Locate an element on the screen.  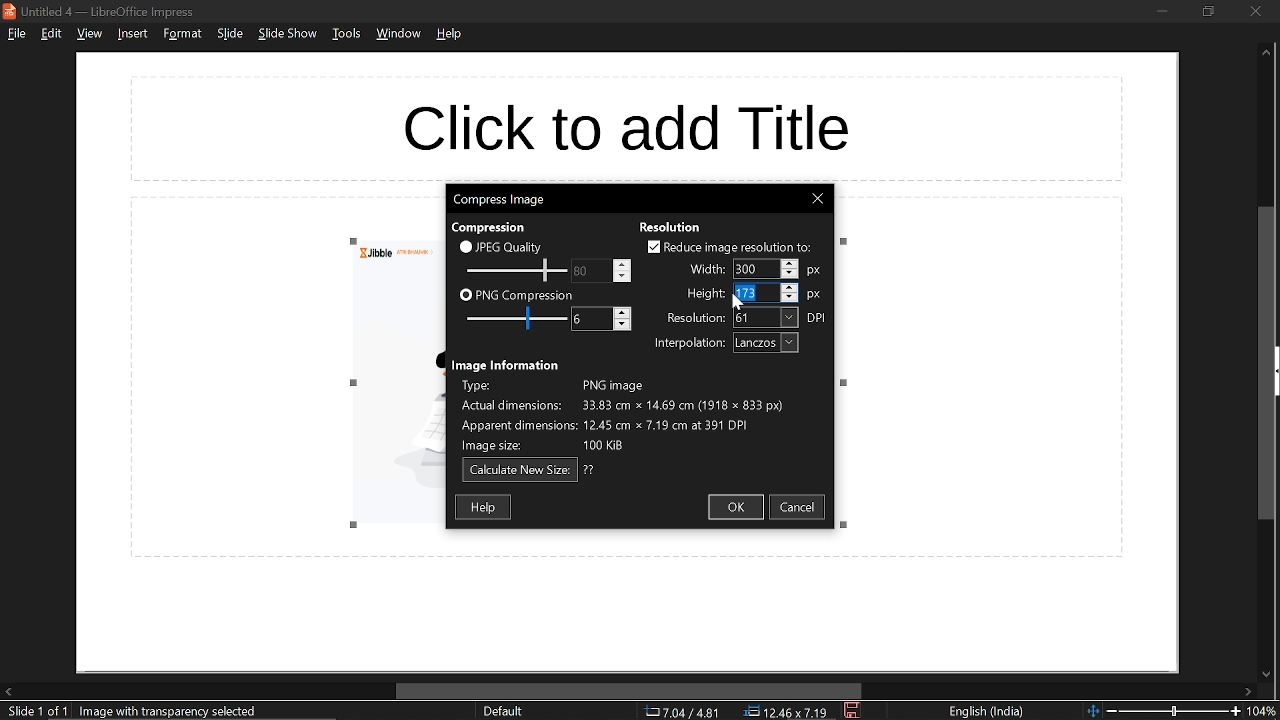
reduce image resolution is located at coordinates (740, 247).